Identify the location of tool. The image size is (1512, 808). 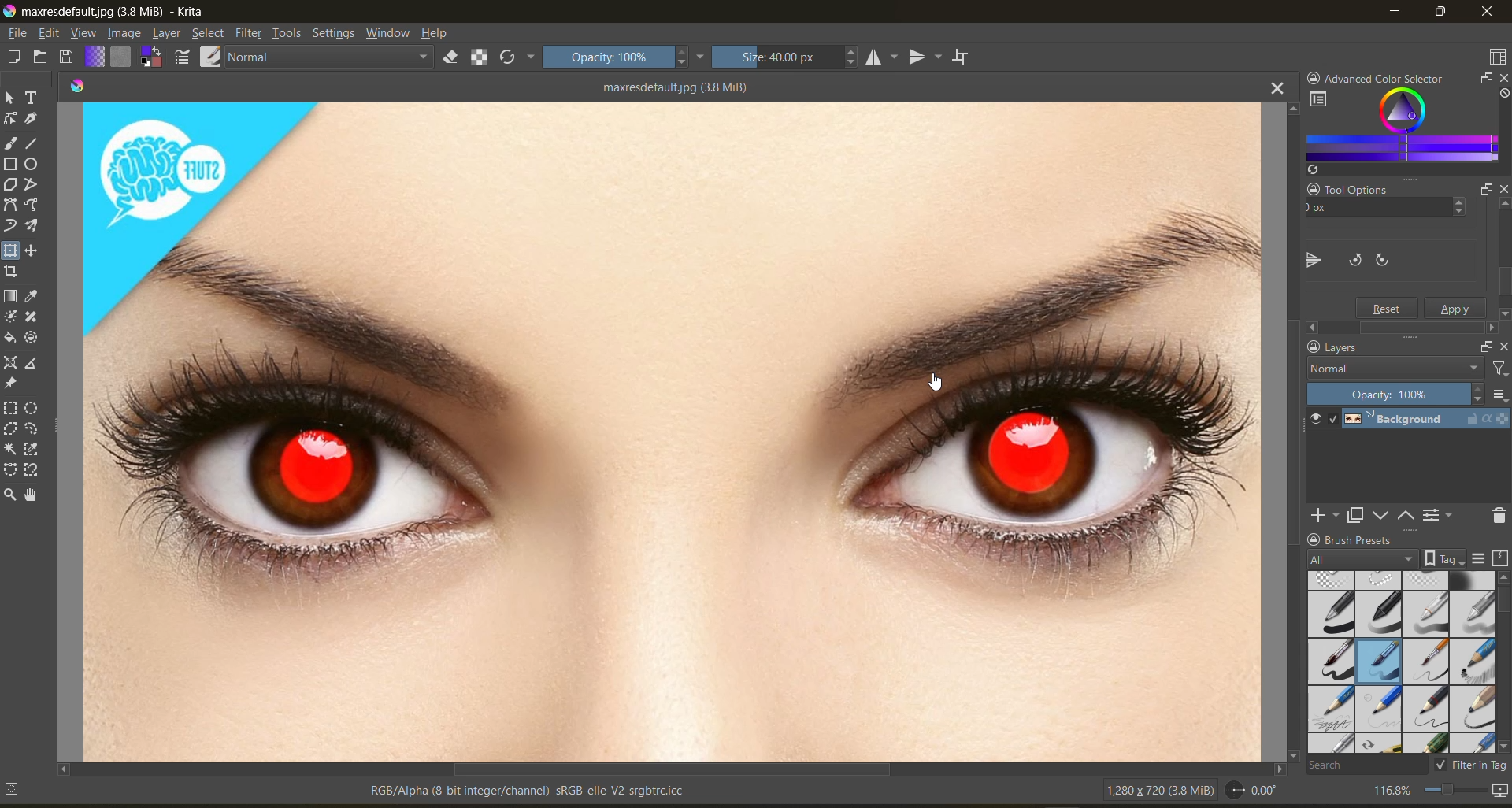
(31, 226).